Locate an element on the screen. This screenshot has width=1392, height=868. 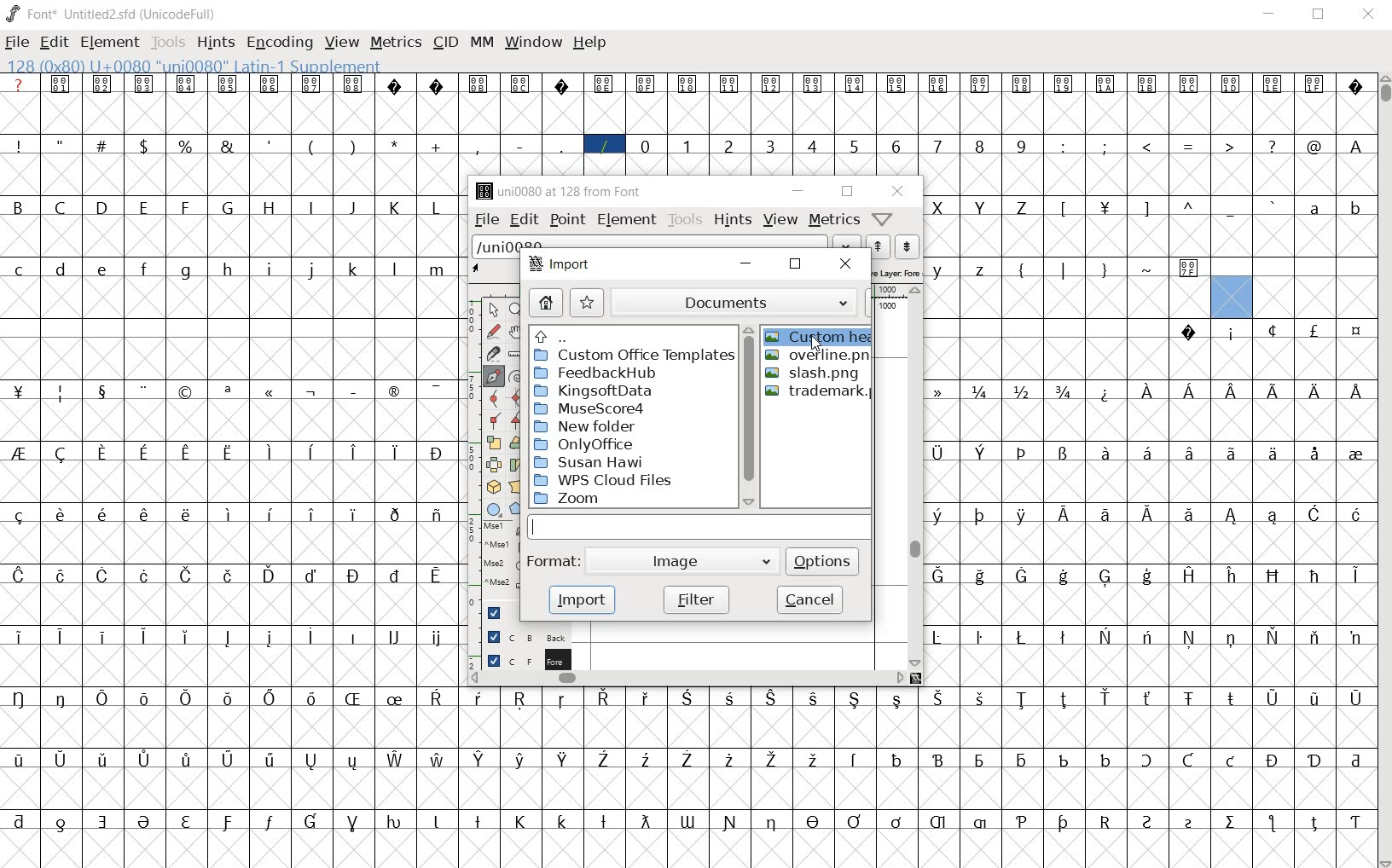
glyph is located at coordinates (60, 636).